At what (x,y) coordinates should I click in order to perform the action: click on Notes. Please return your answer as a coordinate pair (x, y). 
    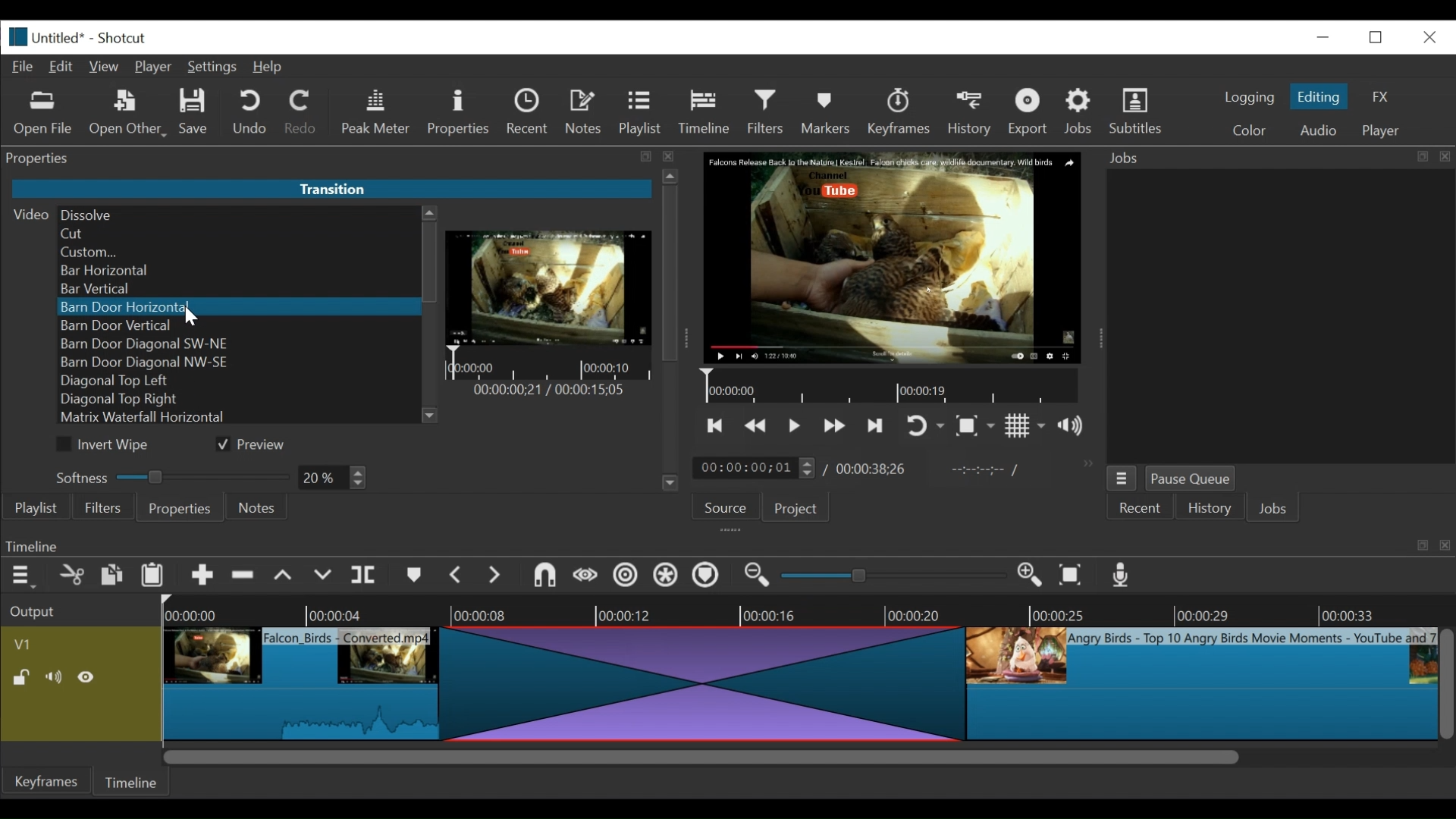
    Looking at the image, I should click on (257, 507).